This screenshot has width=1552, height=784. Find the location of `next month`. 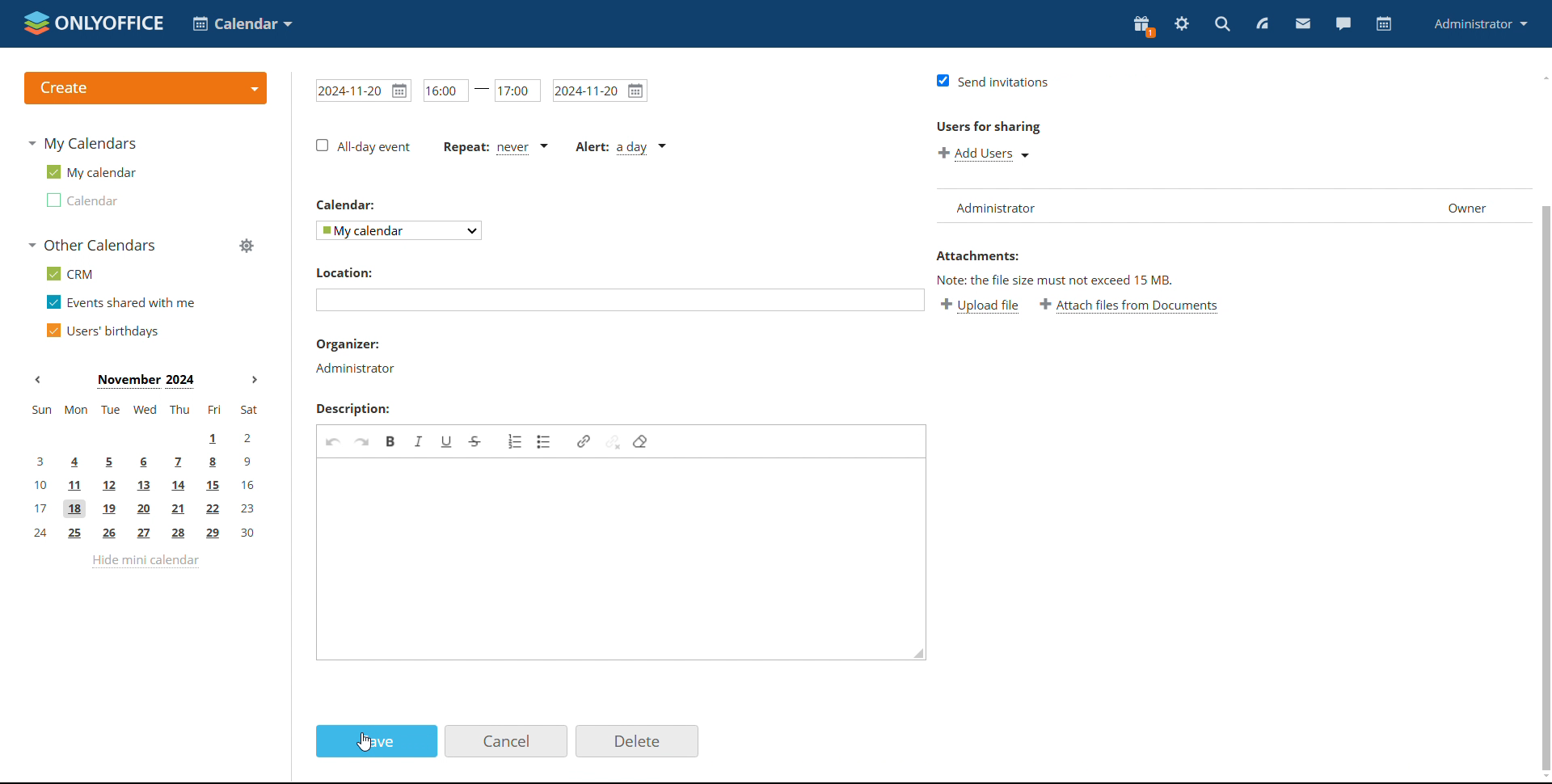

next month is located at coordinates (257, 381).